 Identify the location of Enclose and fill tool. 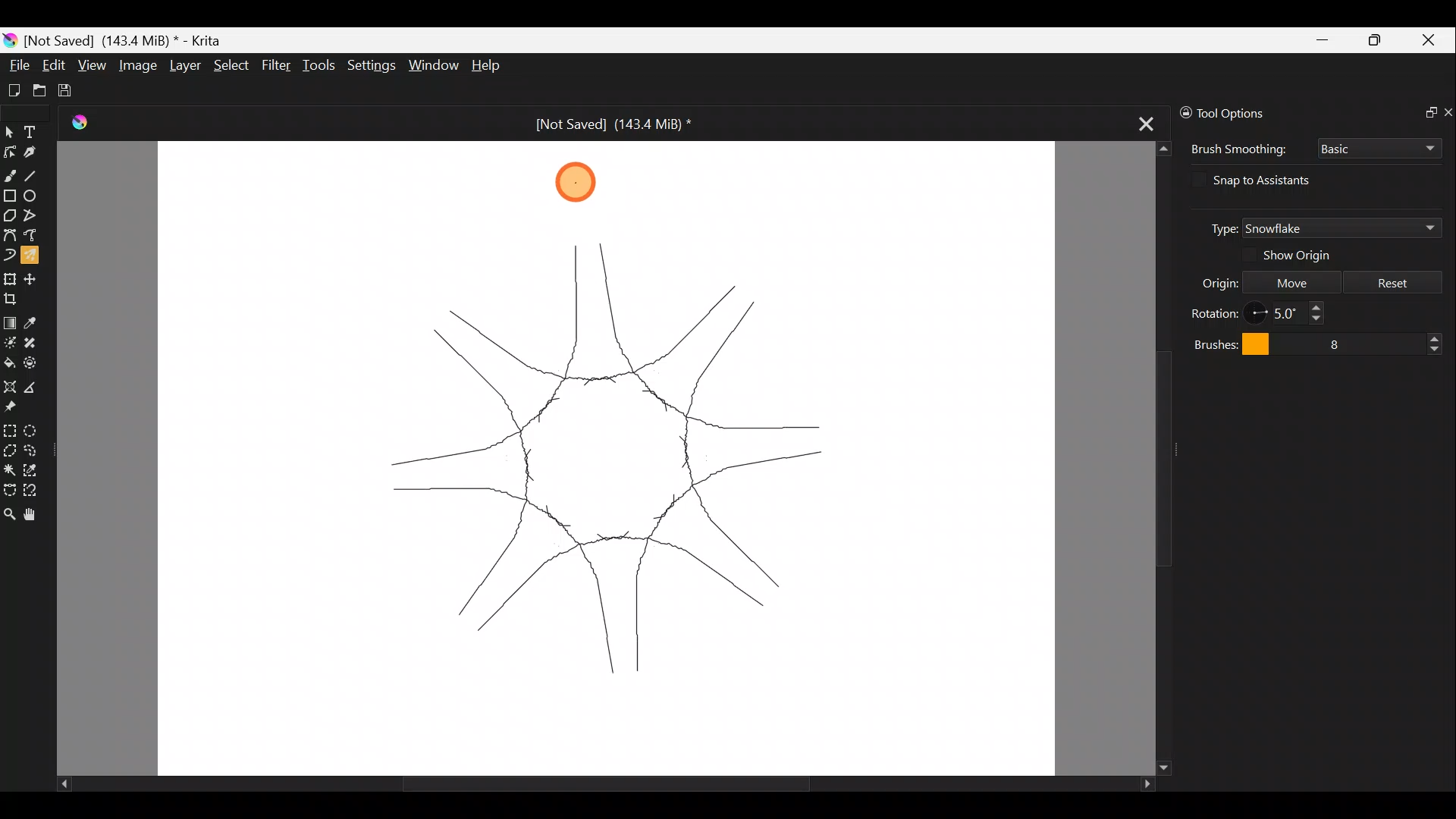
(33, 363).